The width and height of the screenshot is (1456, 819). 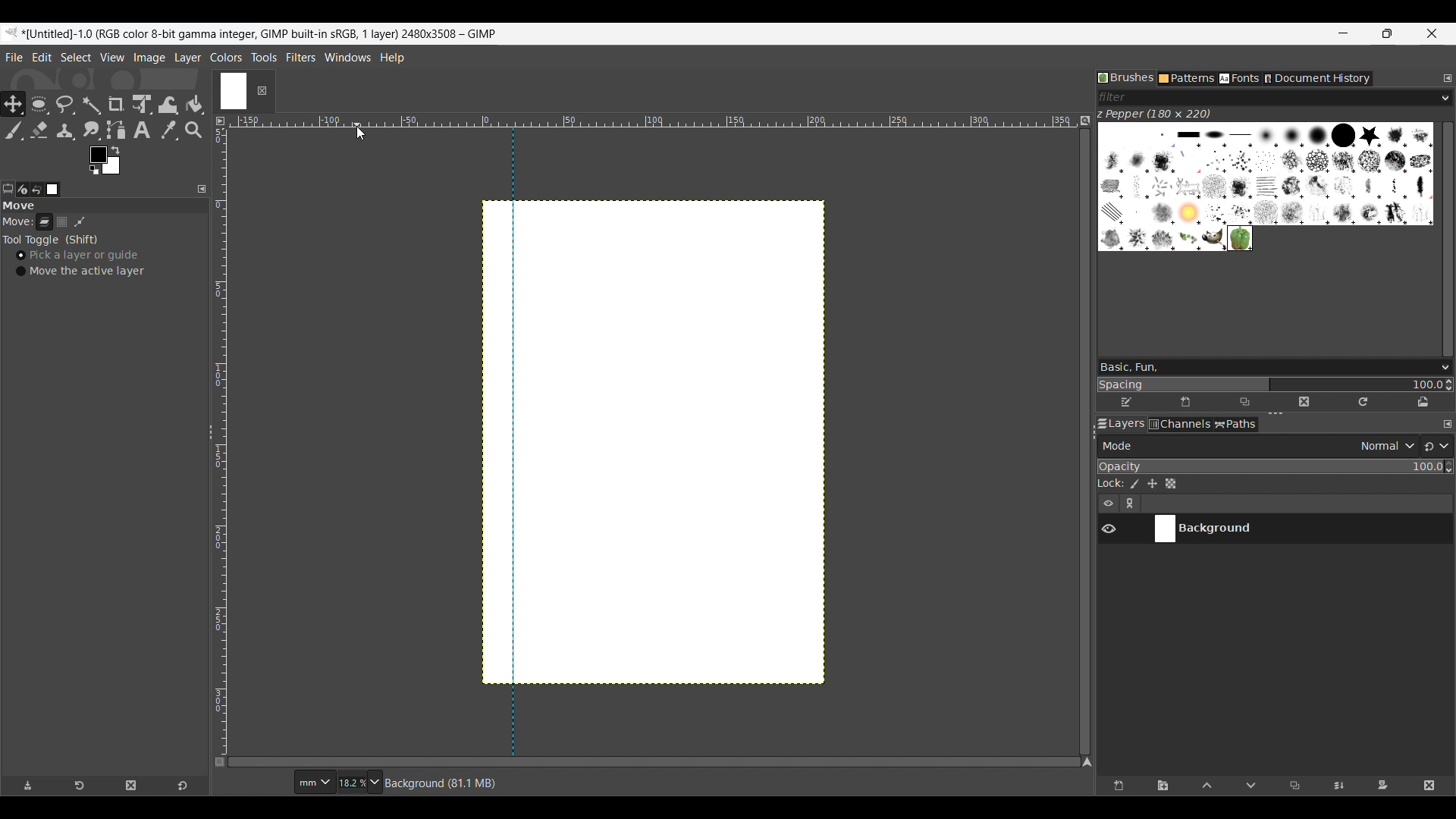 I want to click on Name of current brush and its dimension, so click(x=1153, y=115).